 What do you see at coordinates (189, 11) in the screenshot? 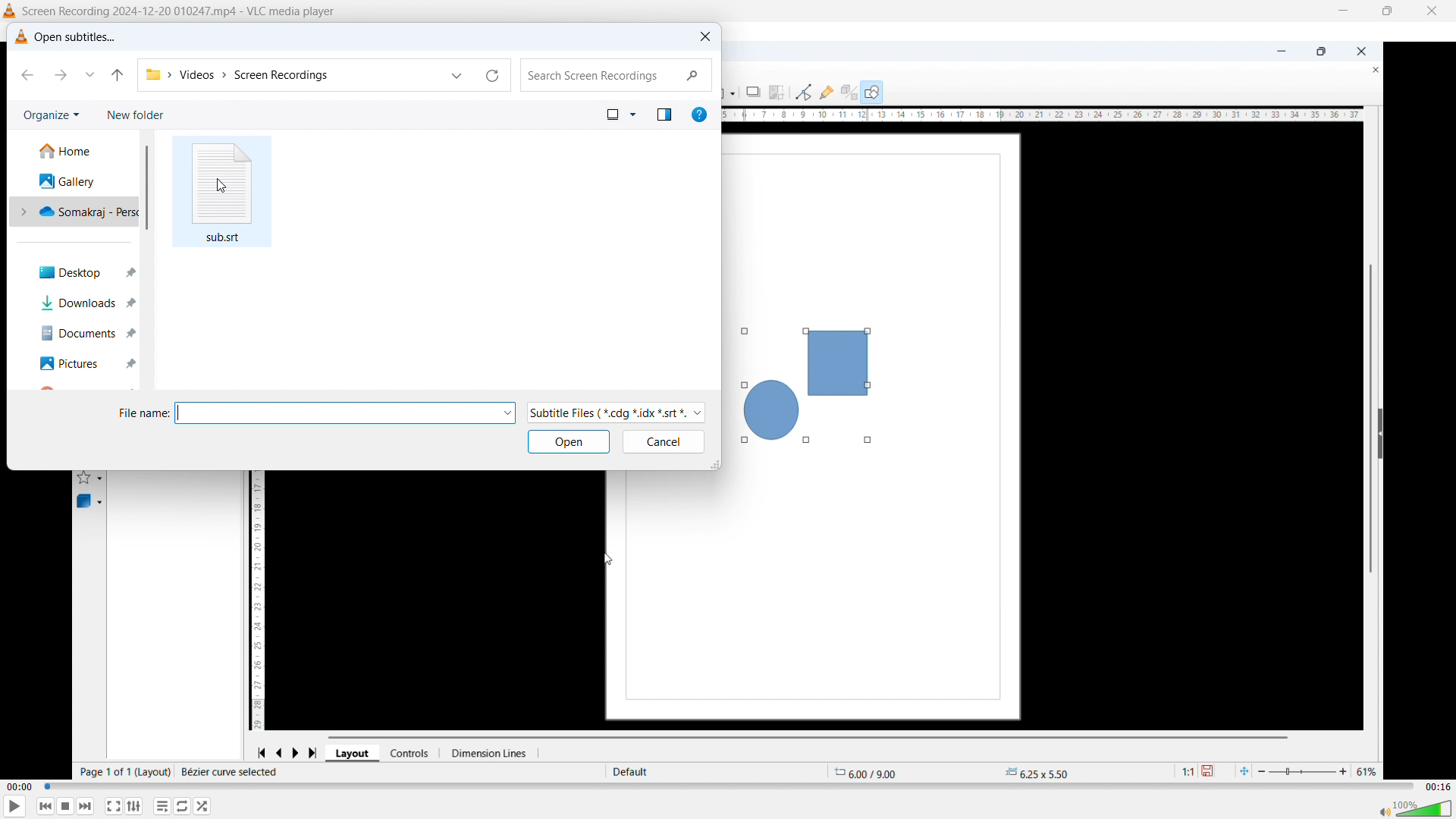
I see `screen recording 2024-12-20 010247 mp4 vlc media player` at bounding box center [189, 11].